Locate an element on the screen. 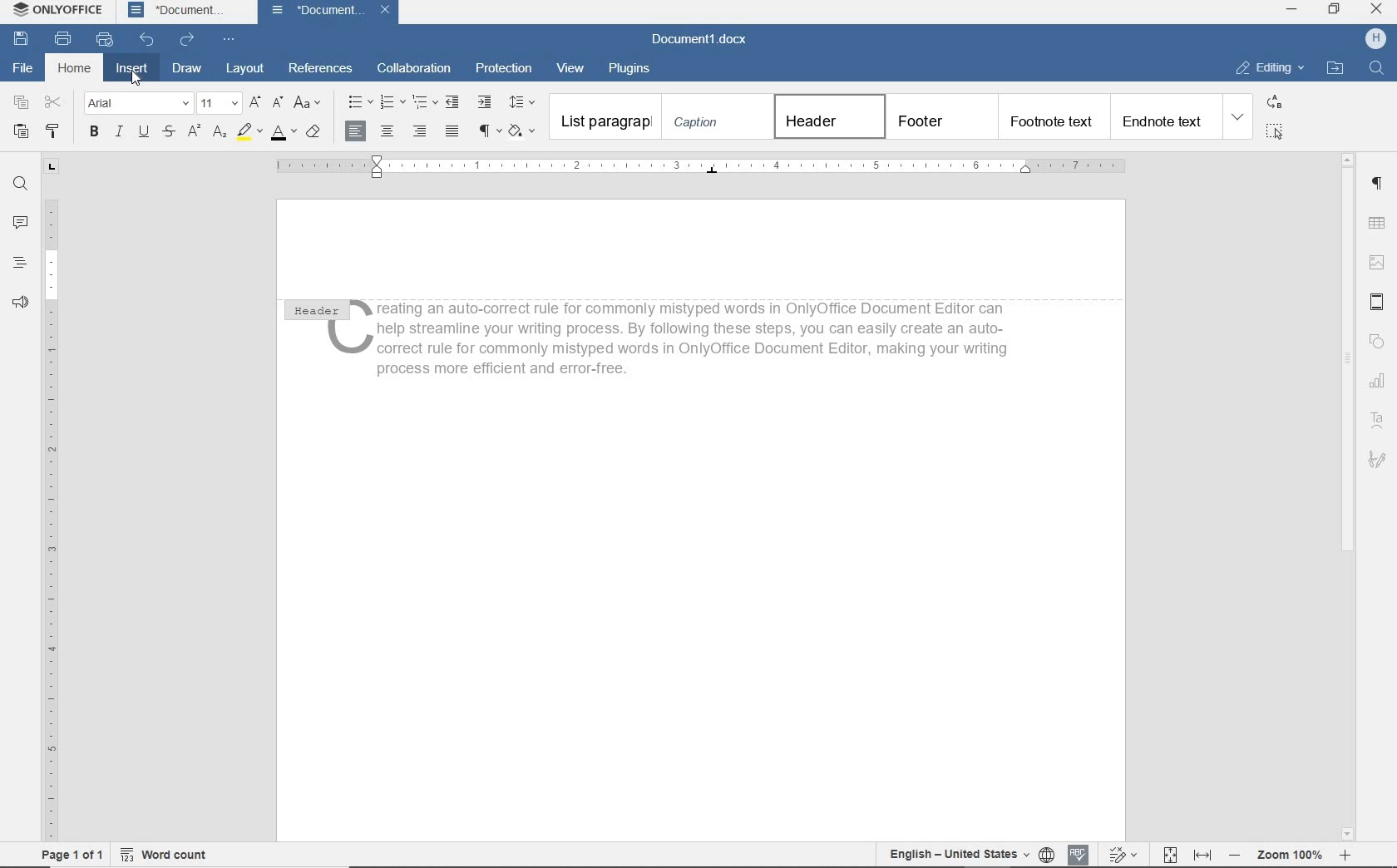 This screenshot has height=868, width=1397. HIGHLIGHT COLOR is located at coordinates (251, 131).